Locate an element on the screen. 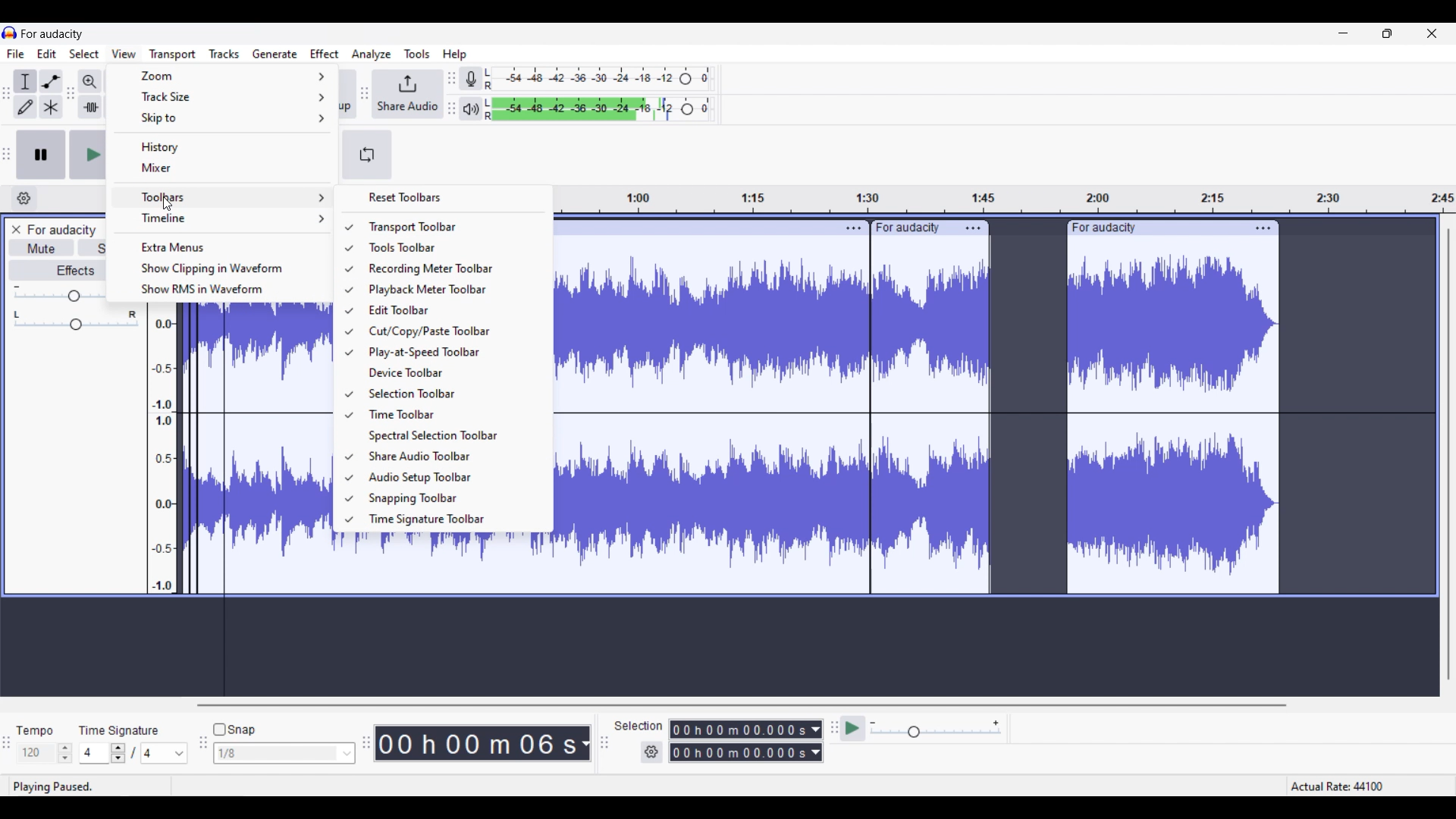 The width and height of the screenshot is (1456, 819). Playback meter is located at coordinates (471, 108).